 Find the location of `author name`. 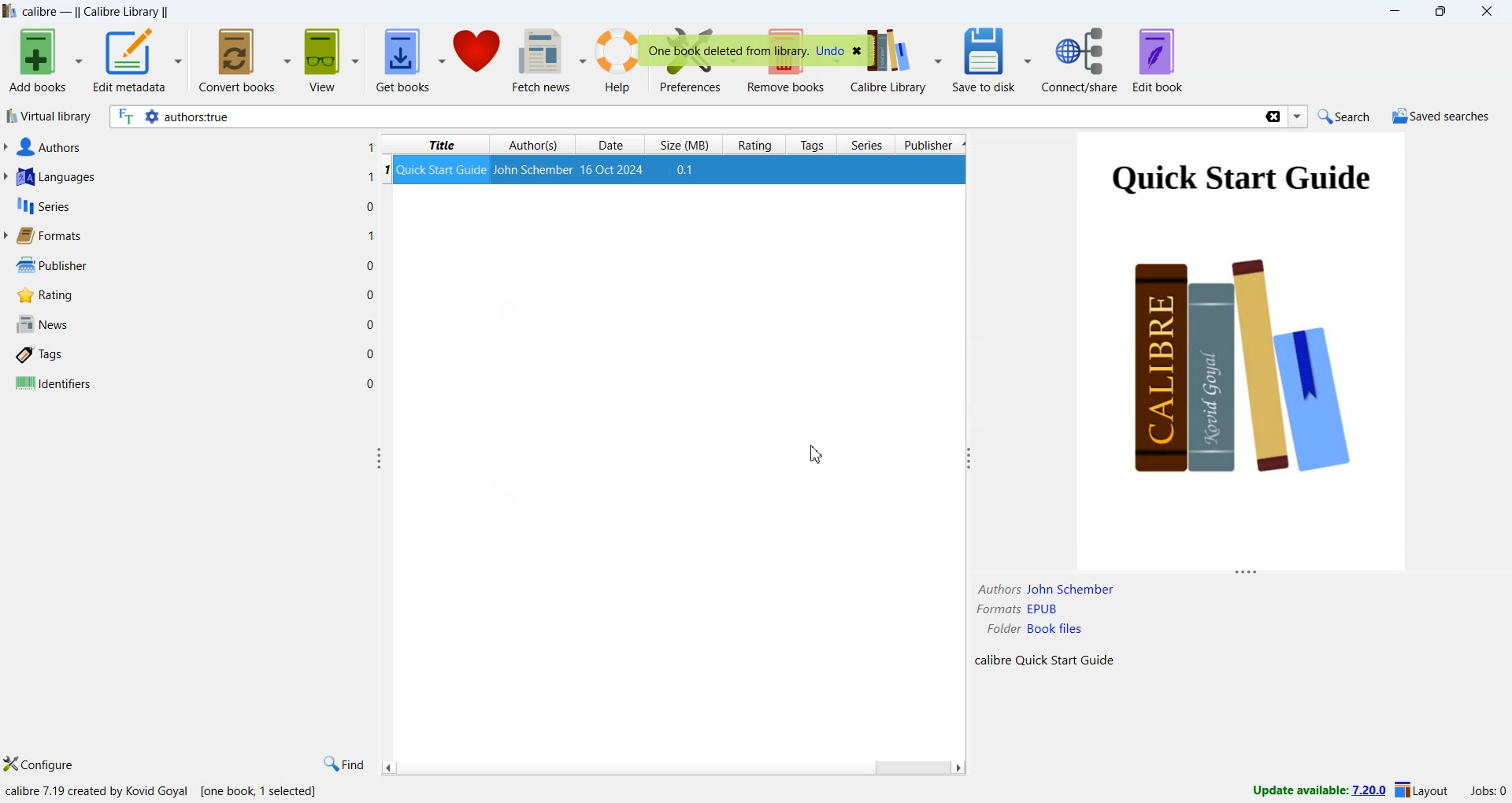

author name is located at coordinates (1047, 590).